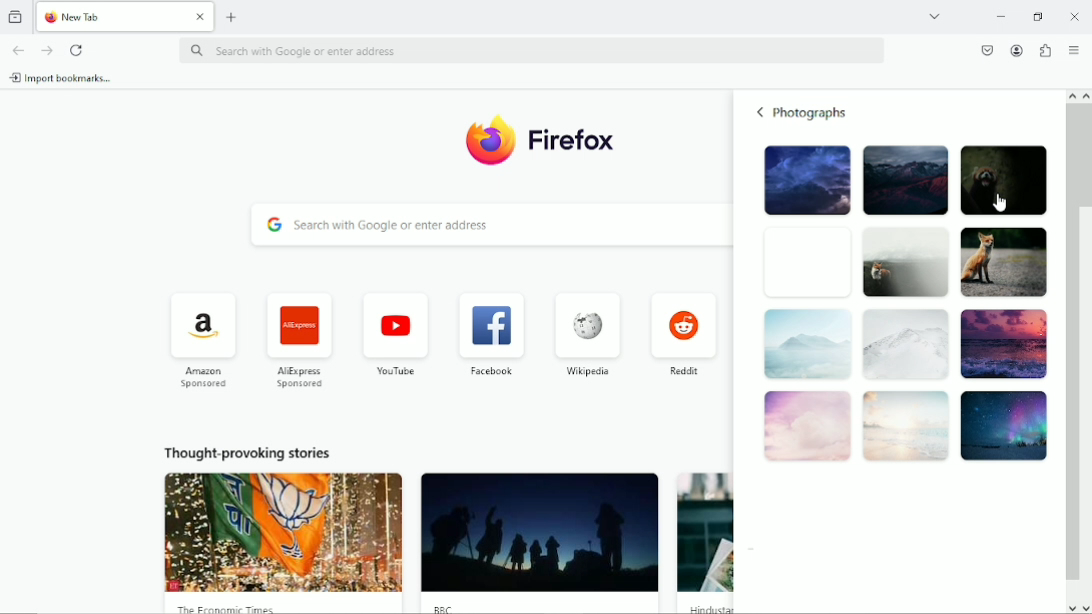 This screenshot has width=1092, height=614. What do you see at coordinates (934, 16) in the screenshot?
I see `List all tabs` at bounding box center [934, 16].